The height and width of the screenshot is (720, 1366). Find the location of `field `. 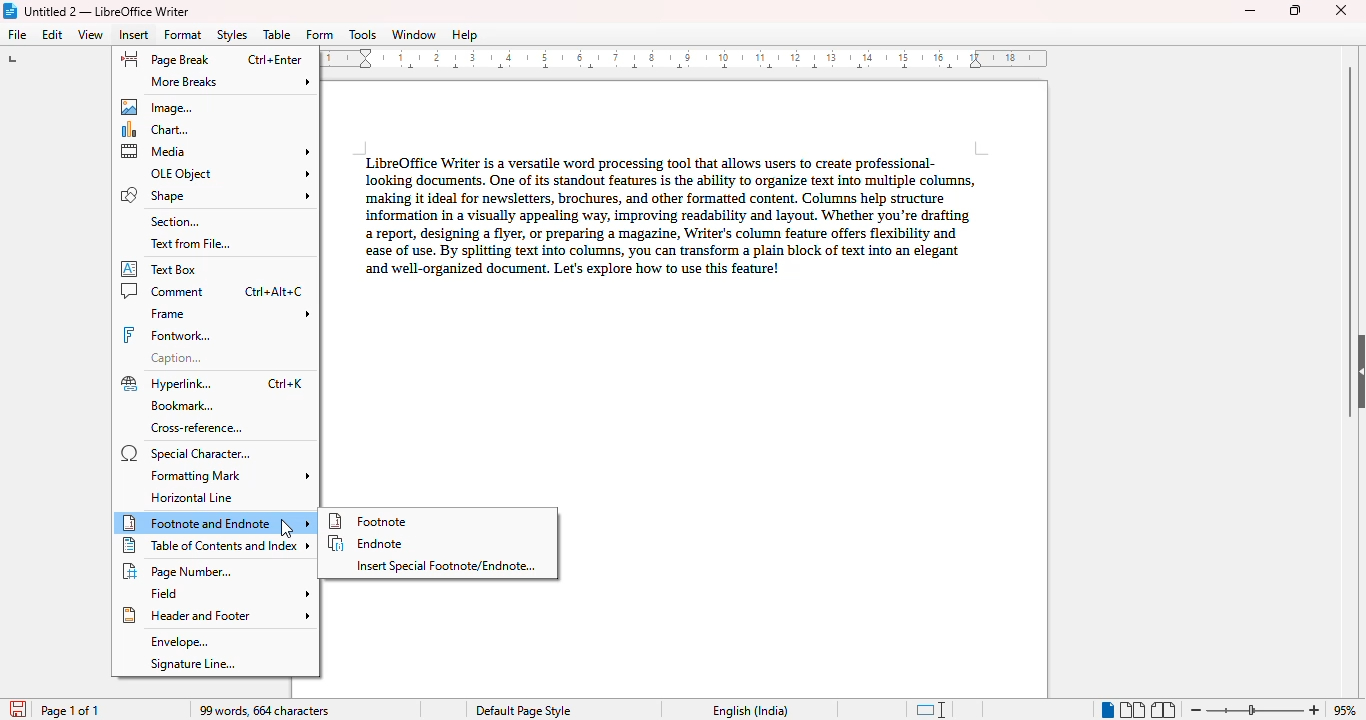

field  is located at coordinates (229, 593).